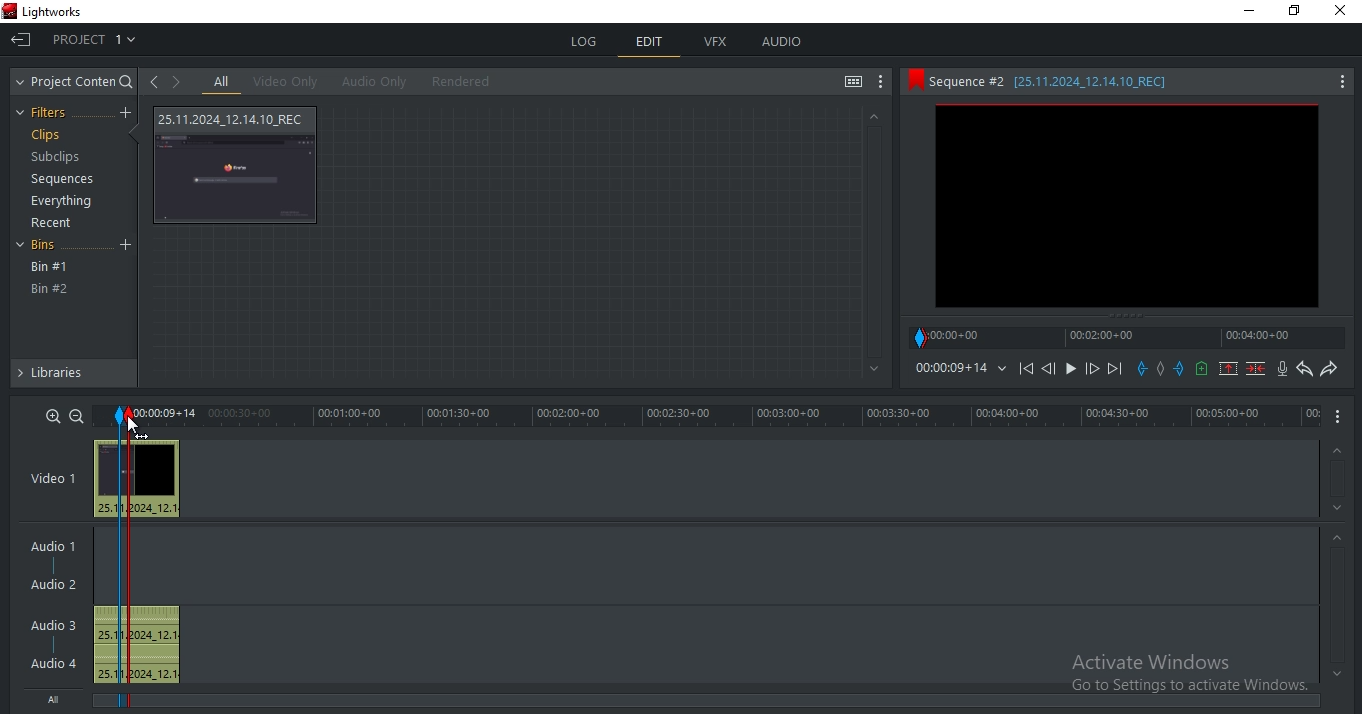 The width and height of the screenshot is (1362, 714). I want to click on rendered, so click(461, 81).